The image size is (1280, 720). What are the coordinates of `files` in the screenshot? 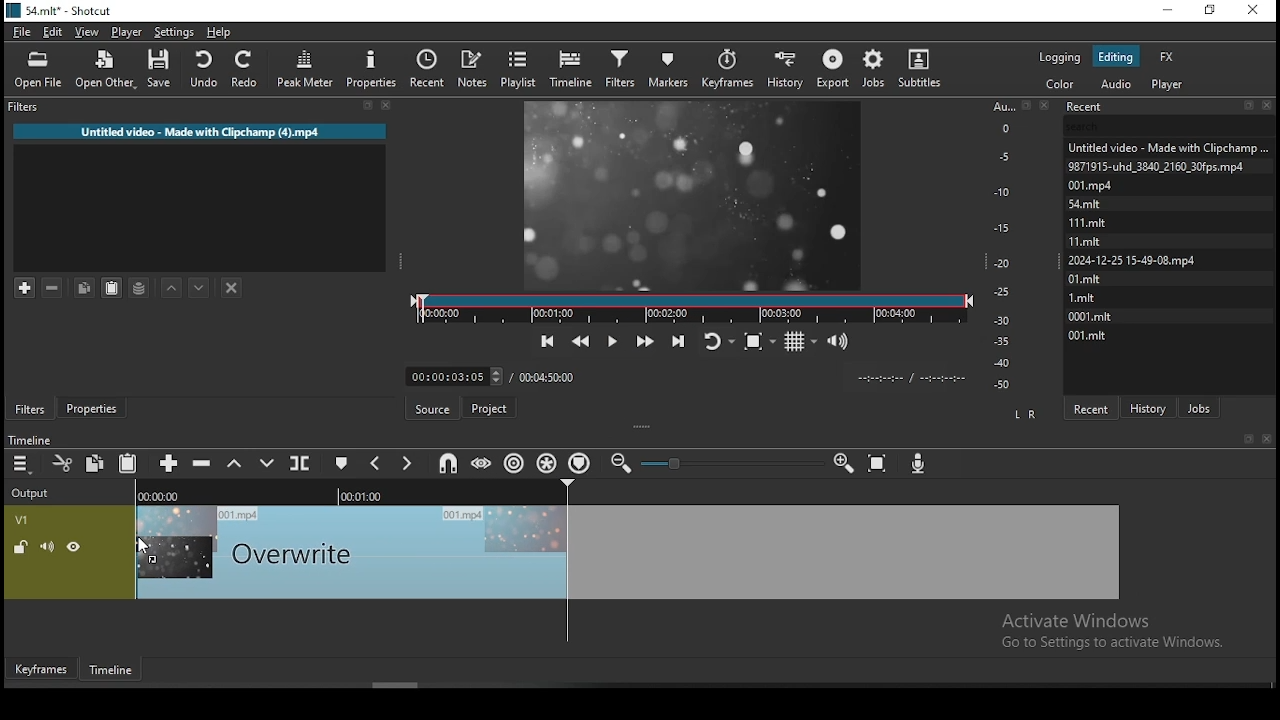 It's located at (1089, 317).